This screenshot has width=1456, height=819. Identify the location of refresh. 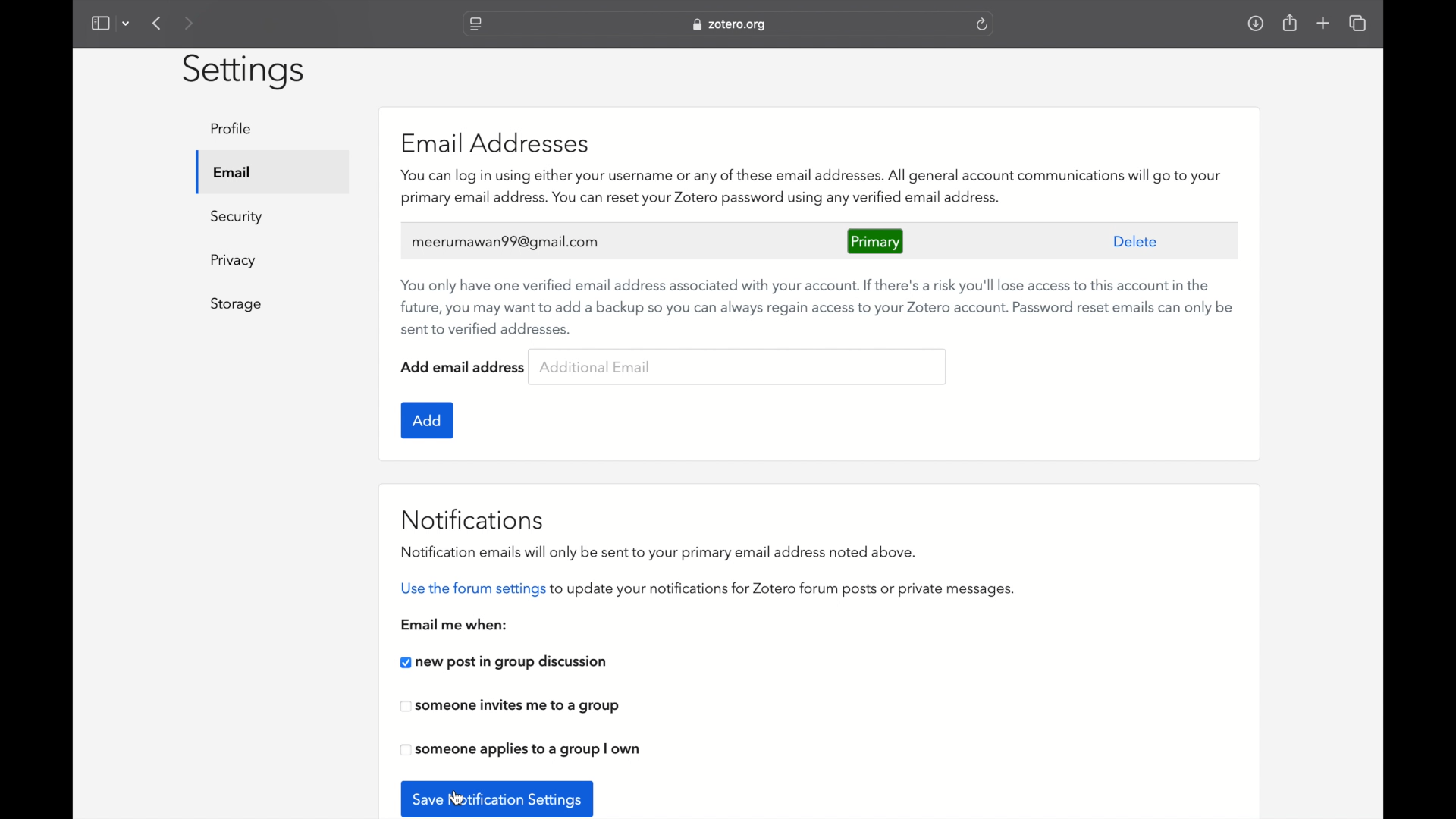
(982, 24).